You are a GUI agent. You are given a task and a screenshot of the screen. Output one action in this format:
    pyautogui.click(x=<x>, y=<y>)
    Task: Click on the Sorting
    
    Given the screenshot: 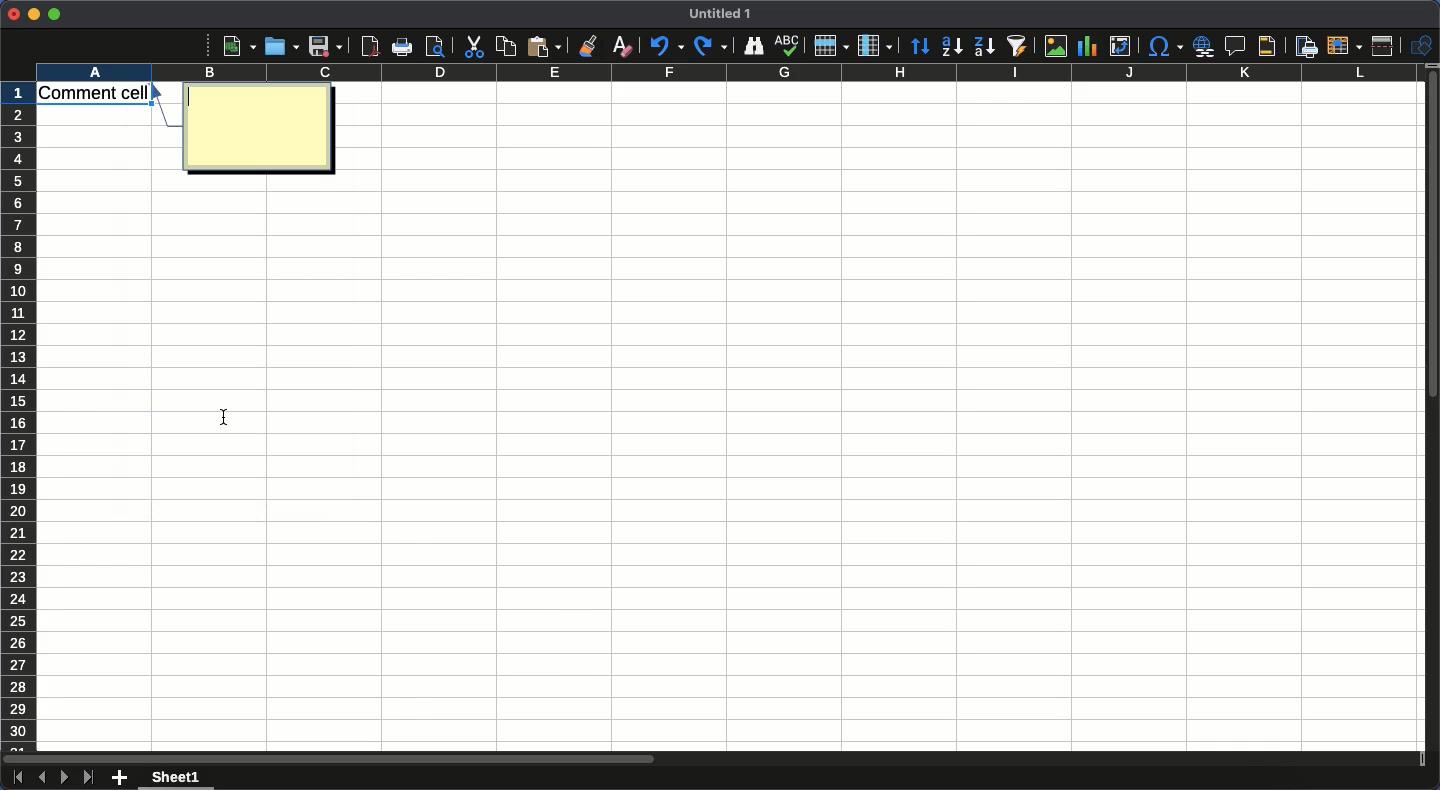 What is the action you would take?
    pyautogui.click(x=921, y=46)
    